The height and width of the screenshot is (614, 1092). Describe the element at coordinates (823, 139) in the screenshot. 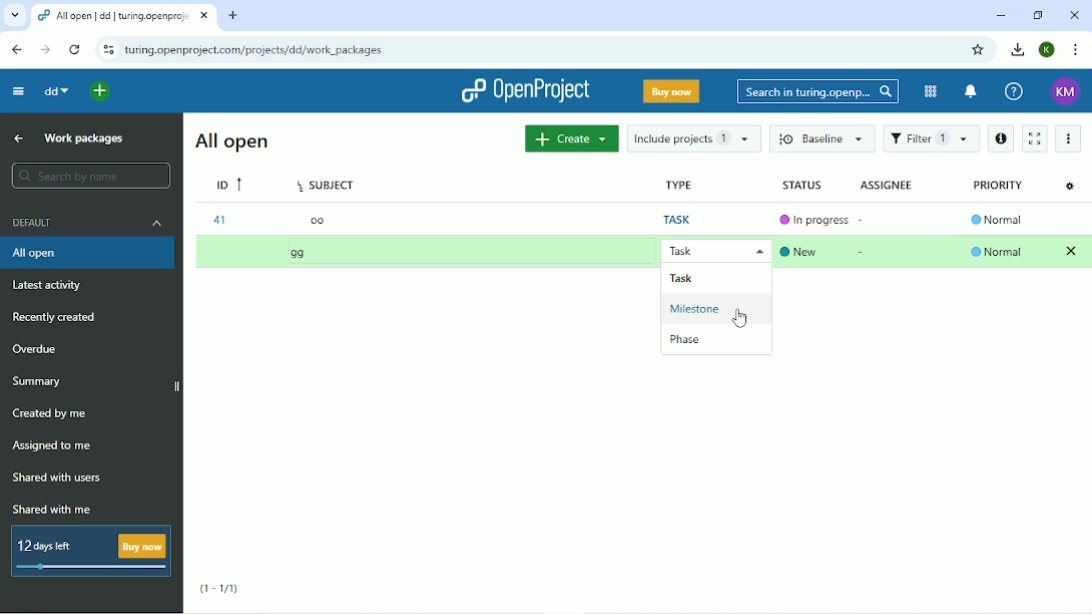

I see `Baseline` at that location.